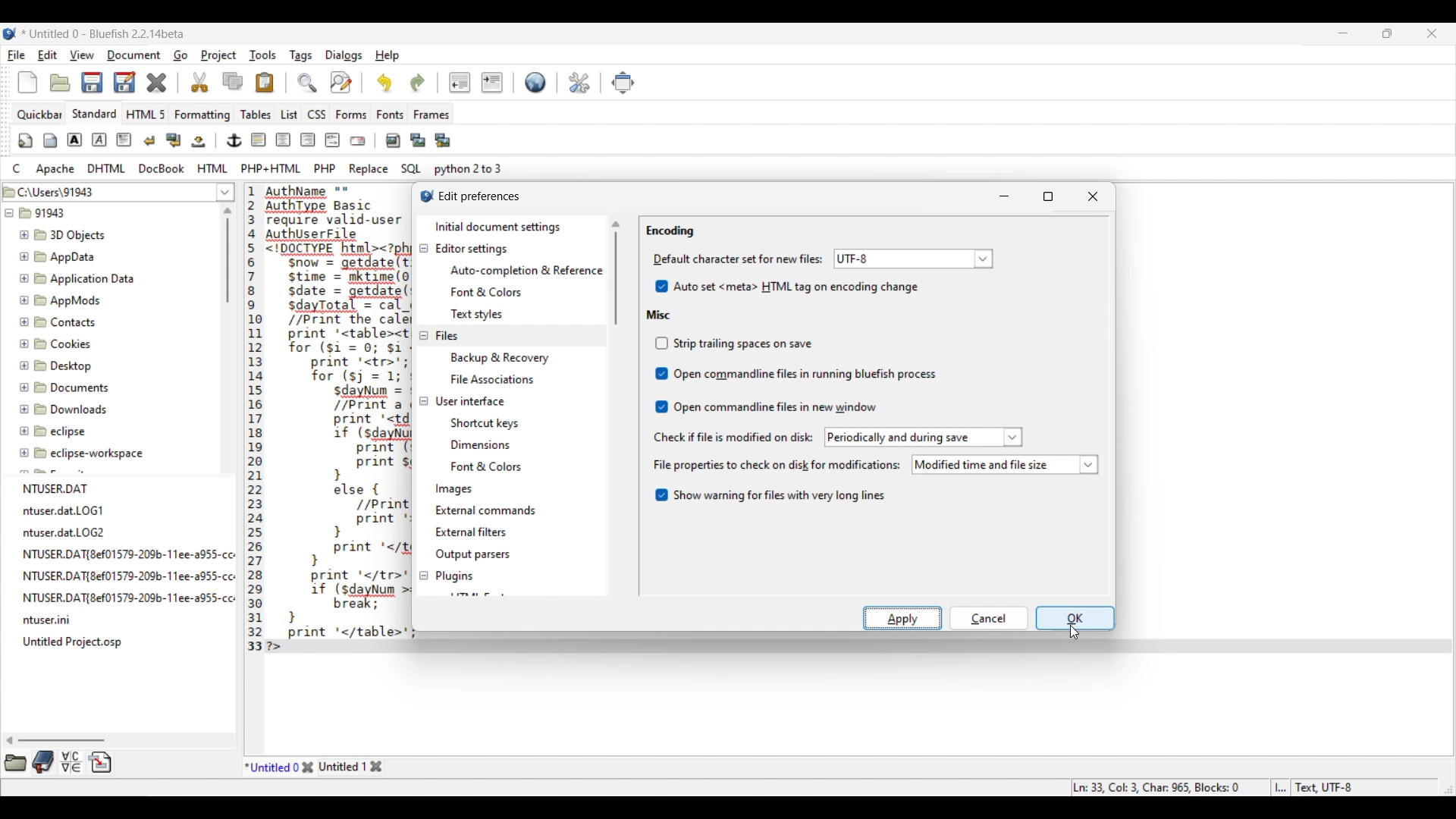  Describe the element at coordinates (263, 55) in the screenshot. I see `Tools menu` at that location.